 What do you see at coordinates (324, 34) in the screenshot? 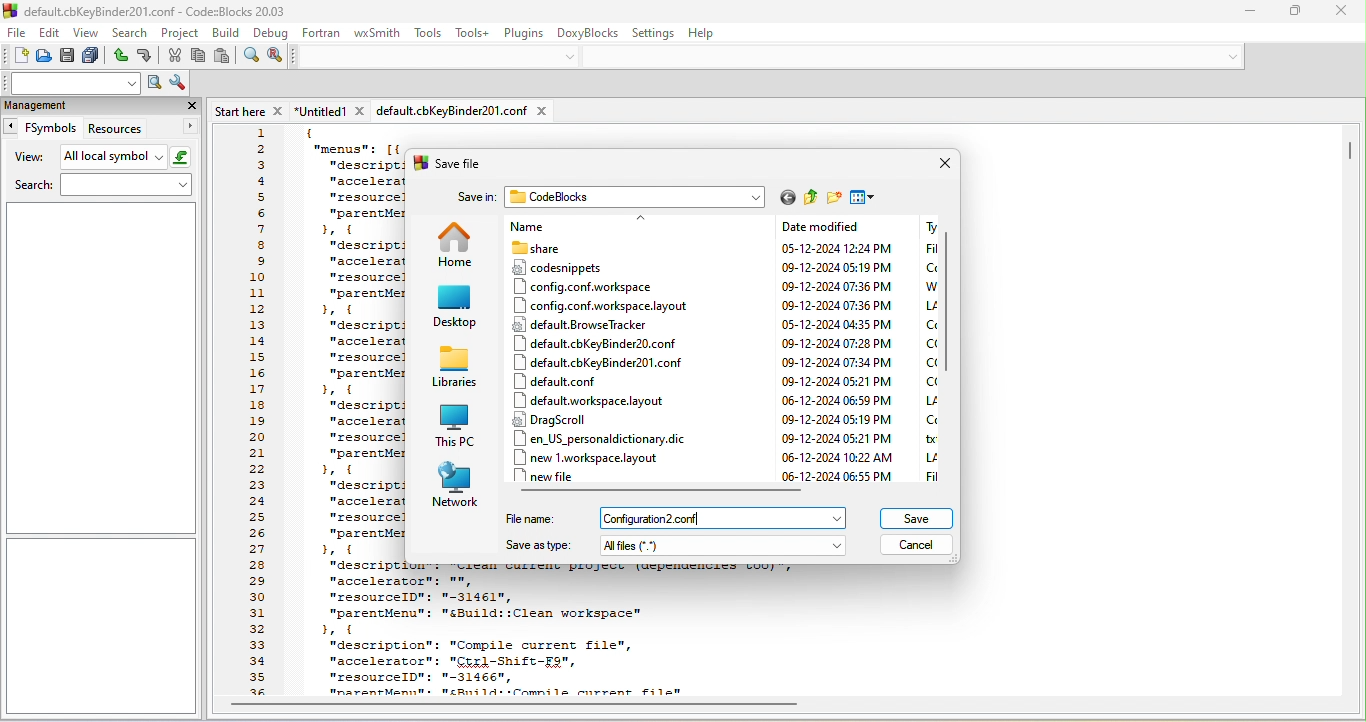
I see `fortran` at bounding box center [324, 34].